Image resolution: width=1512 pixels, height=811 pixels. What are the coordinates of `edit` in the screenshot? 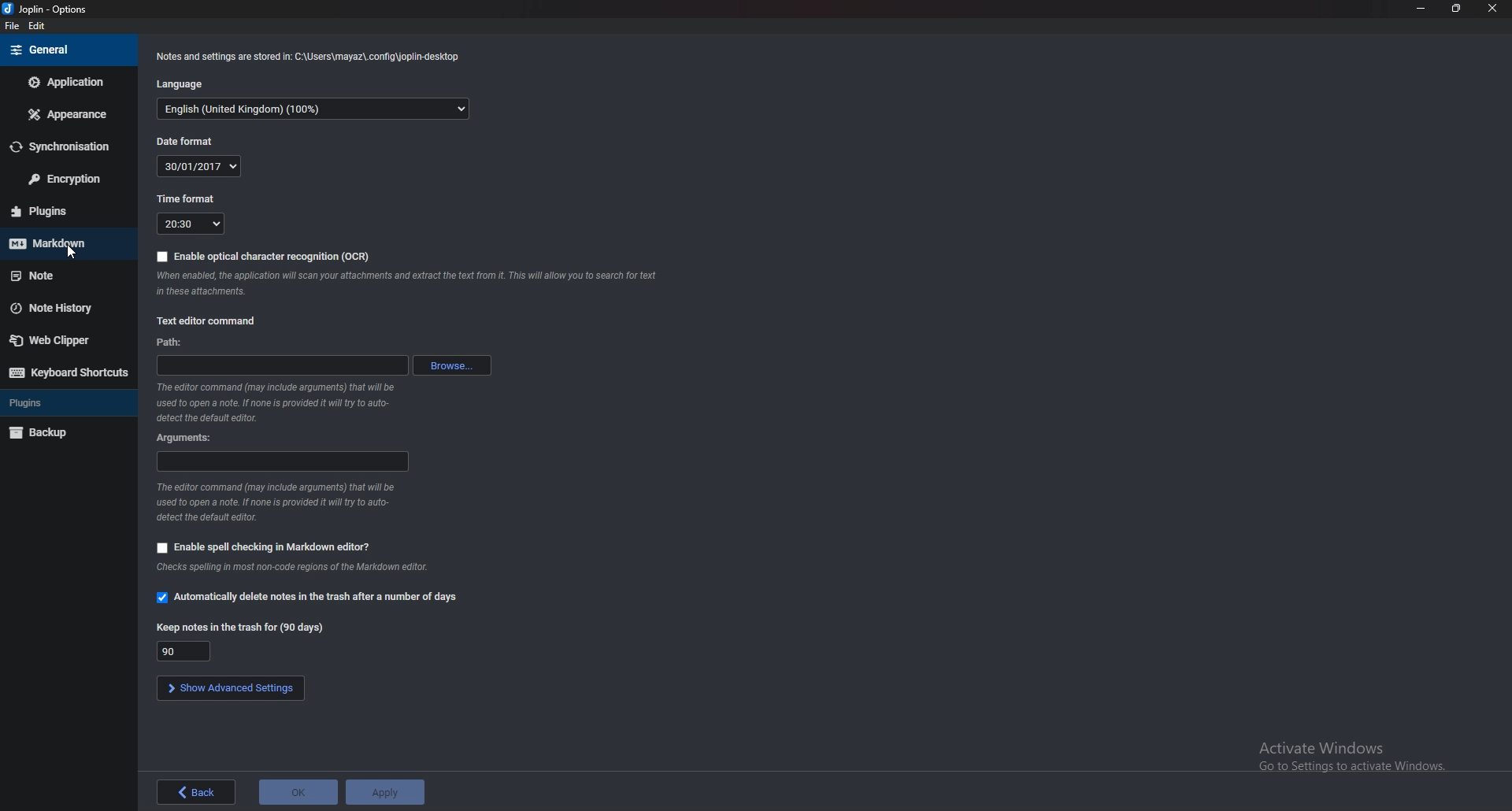 It's located at (38, 25).